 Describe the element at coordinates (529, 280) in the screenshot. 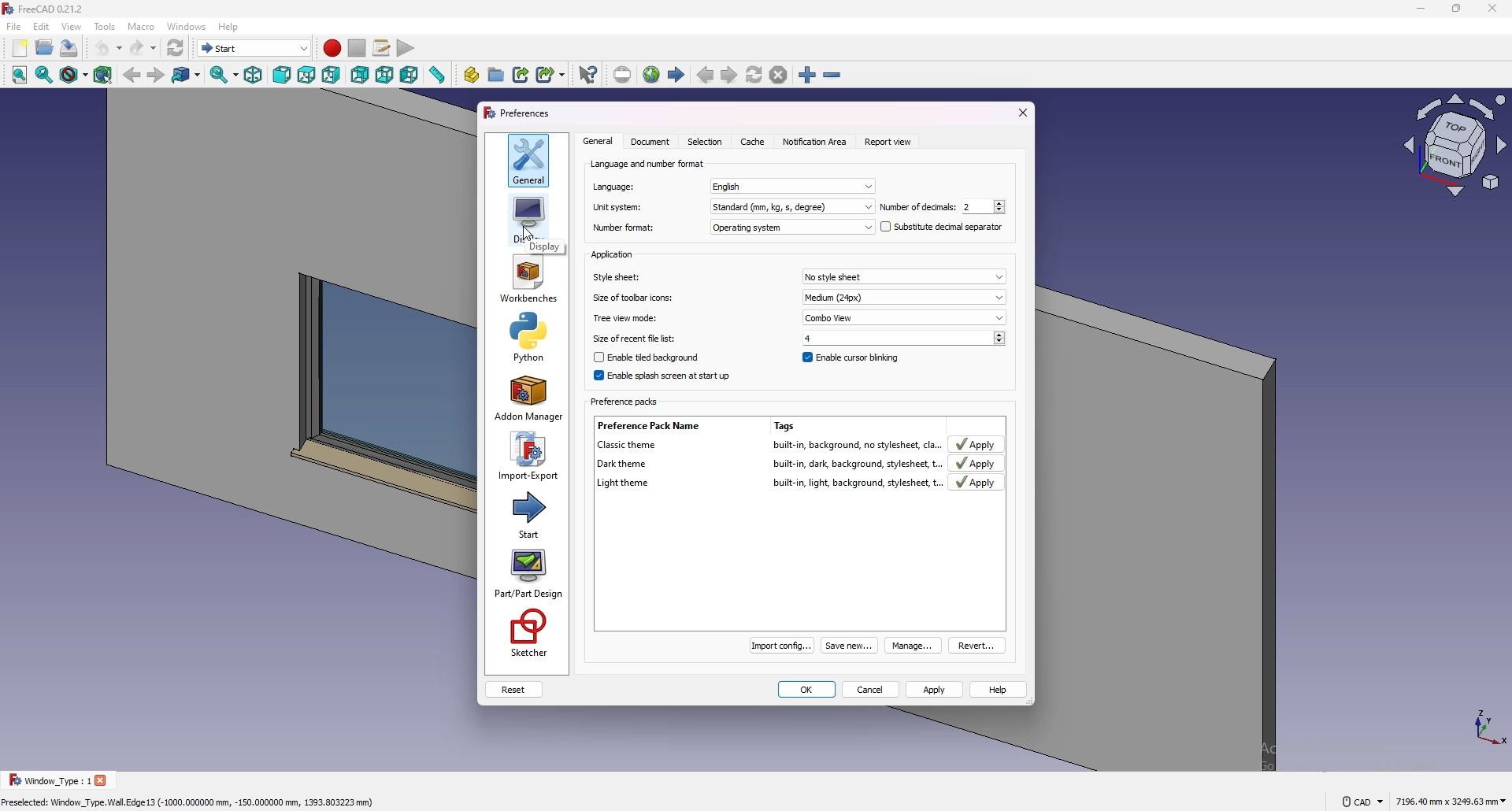

I see `workbenches` at that location.